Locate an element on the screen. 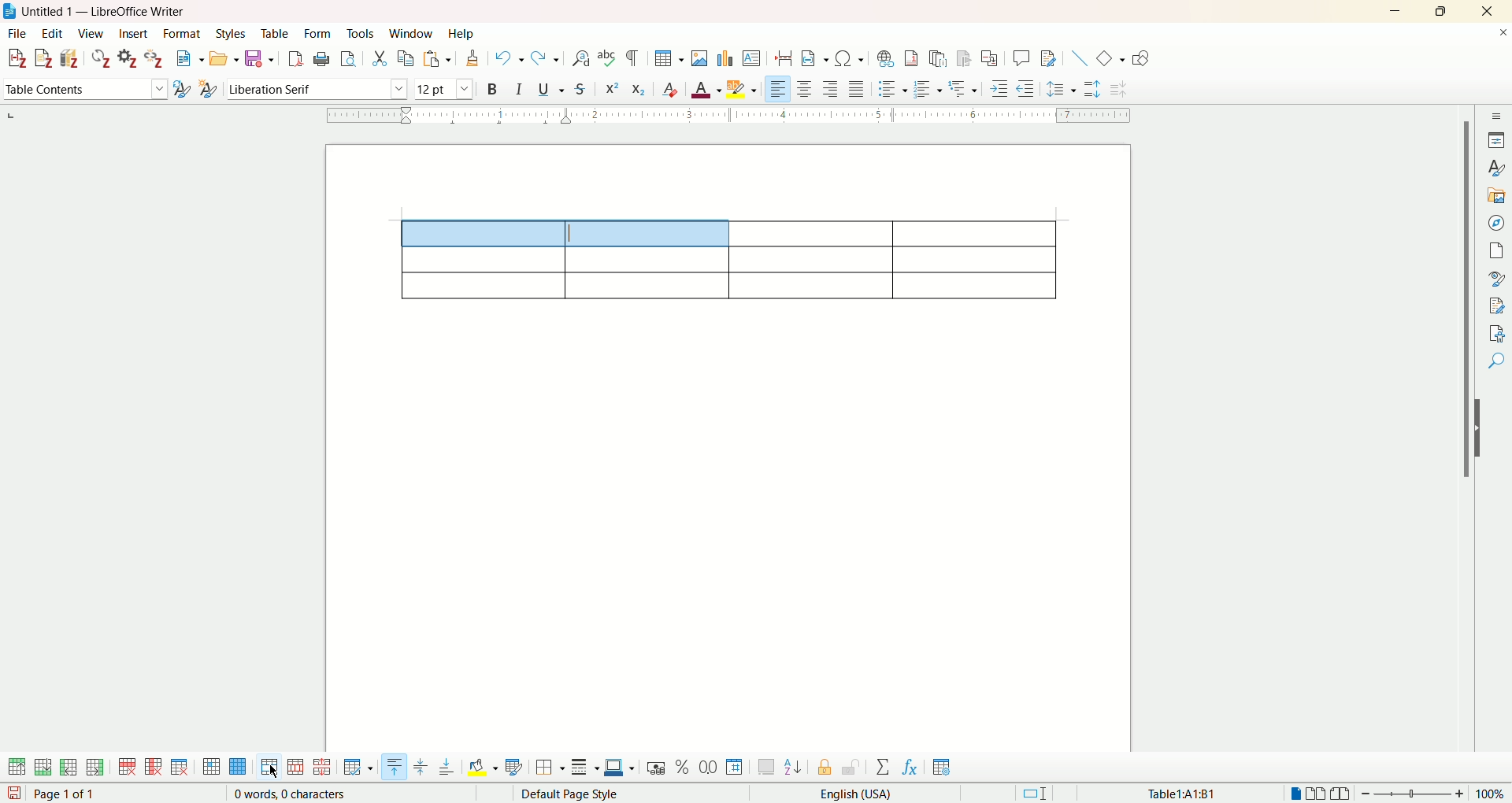 This screenshot has height=803, width=1512. align bottom is located at coordinates (452, 768).